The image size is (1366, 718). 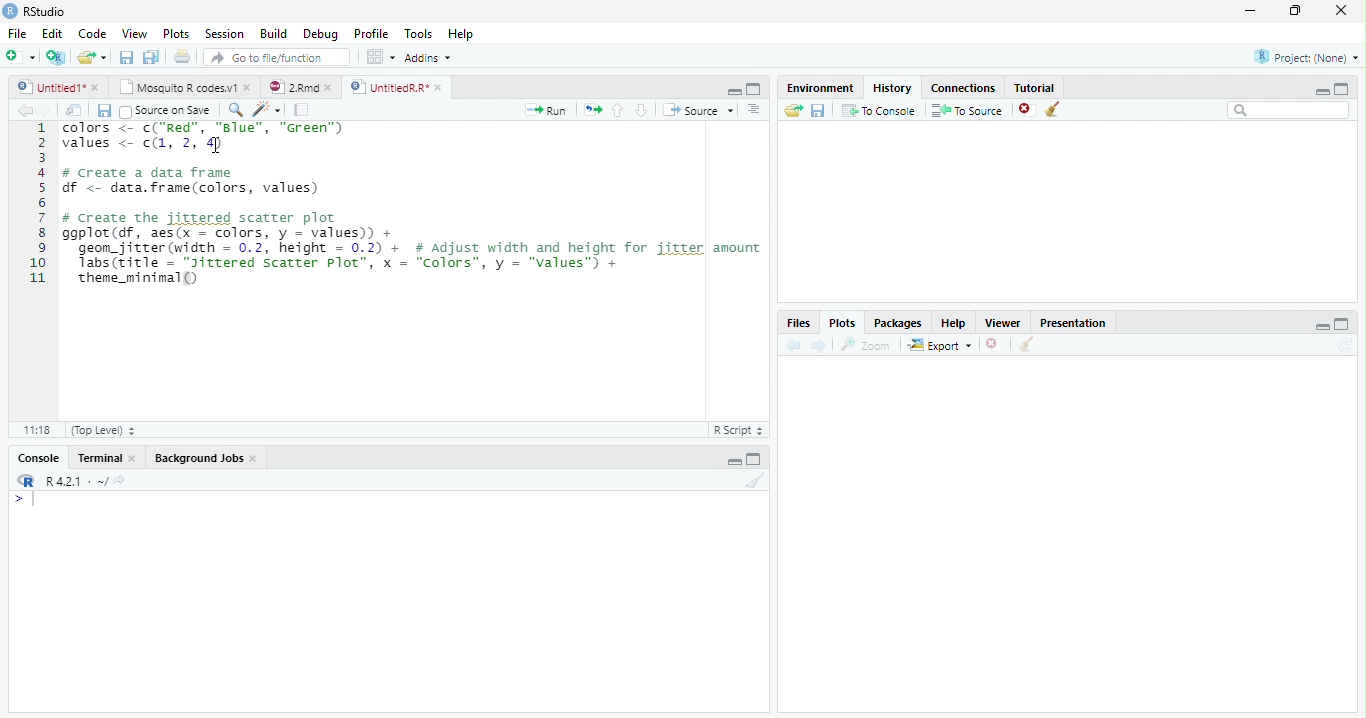 I want to click on Untitled1*, so click(x=50, y=88).